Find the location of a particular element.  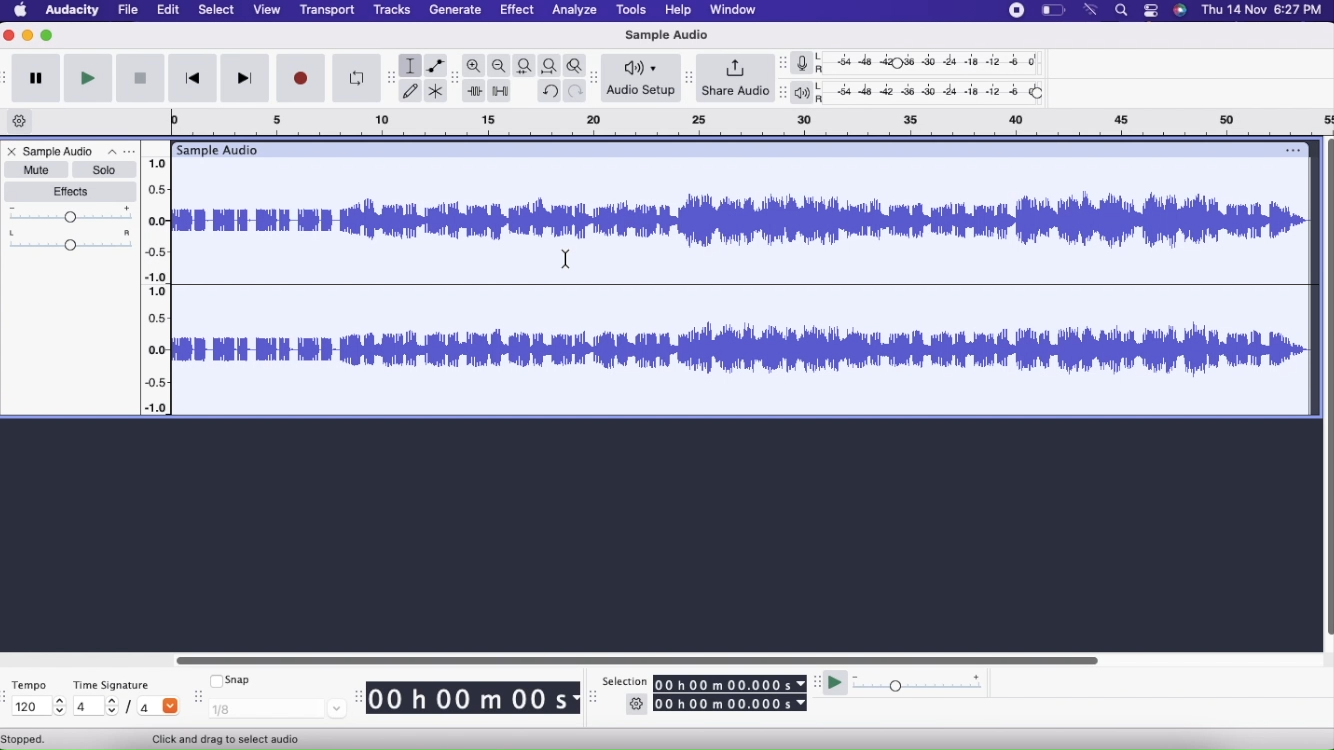

Time Signature is located at coordinates (111, 685).